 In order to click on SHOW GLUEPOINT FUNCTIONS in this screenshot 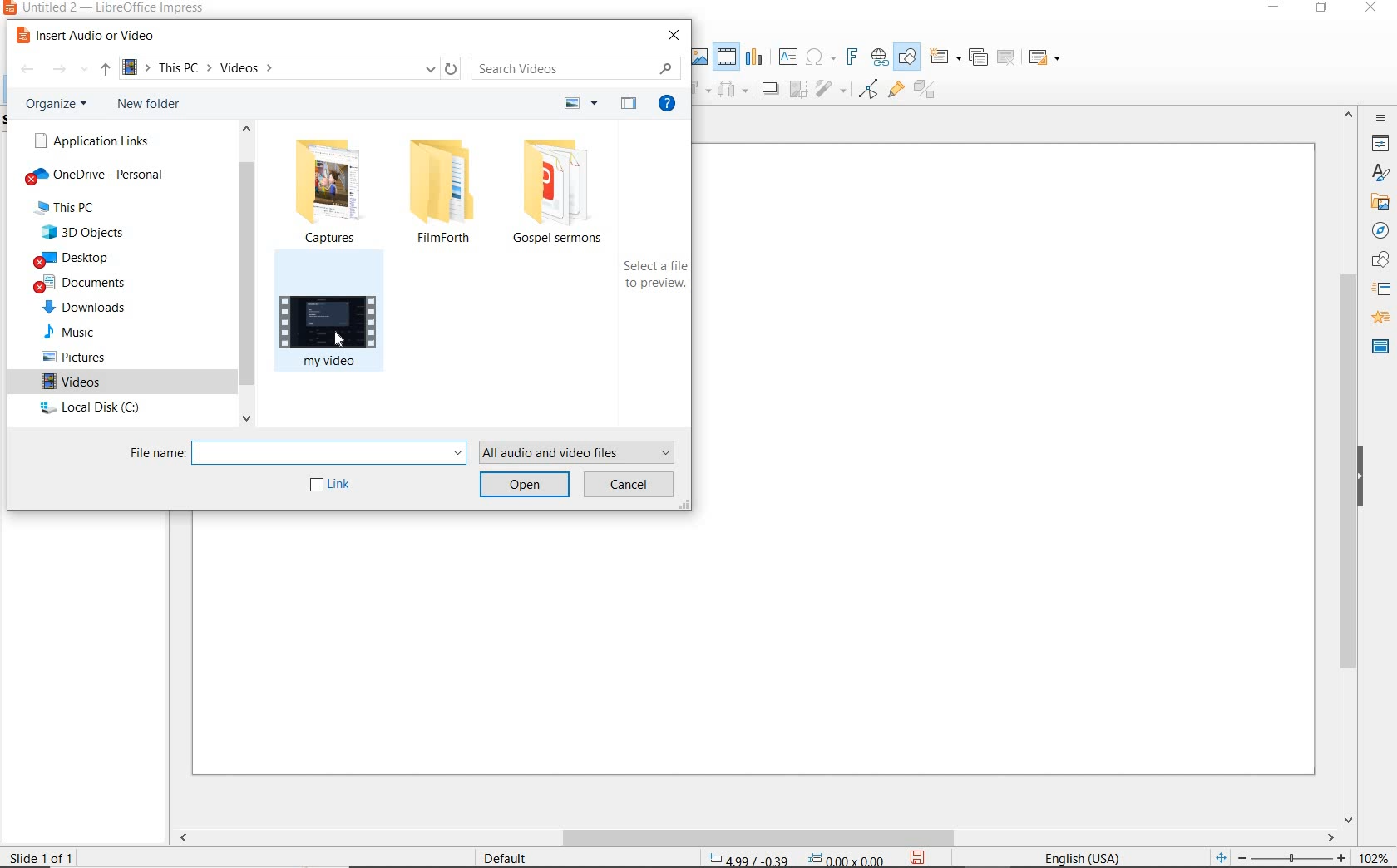, I will do `click(895, 91)`.